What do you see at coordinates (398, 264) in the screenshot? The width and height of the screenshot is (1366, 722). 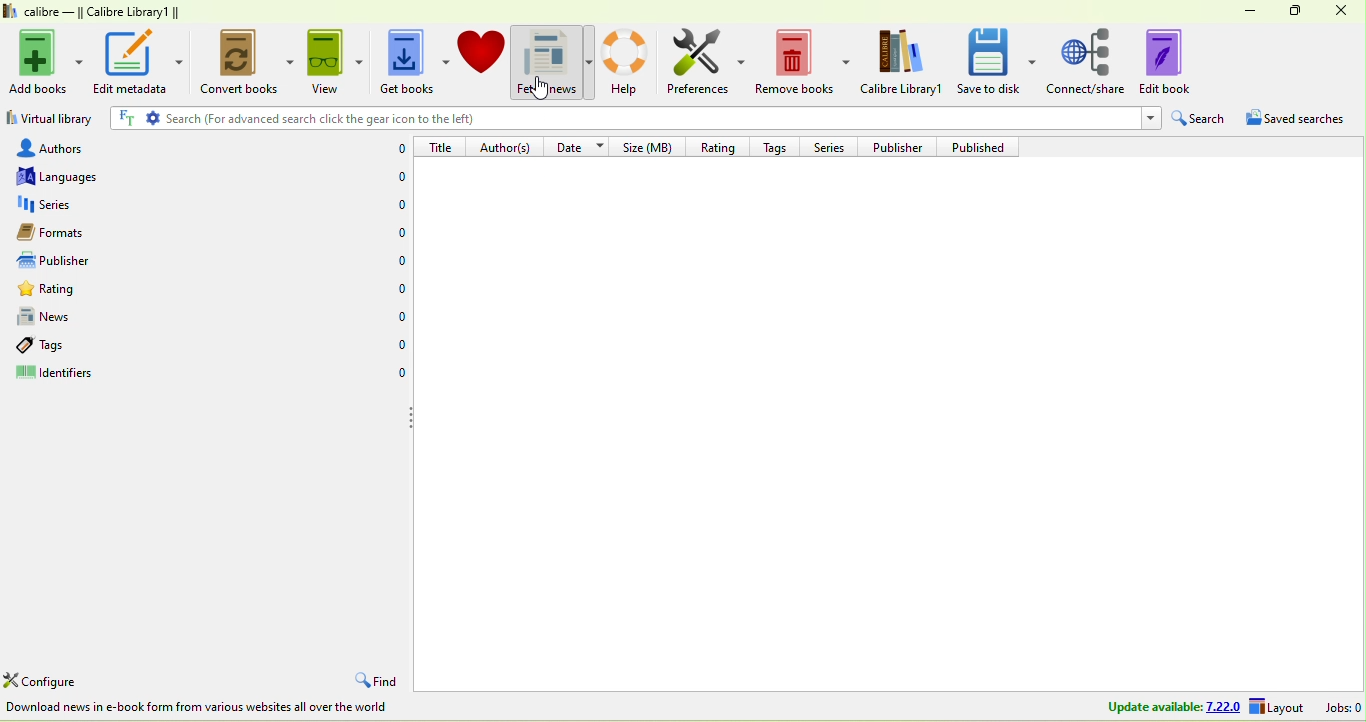 I see `0` at bounding box center [398, 264].